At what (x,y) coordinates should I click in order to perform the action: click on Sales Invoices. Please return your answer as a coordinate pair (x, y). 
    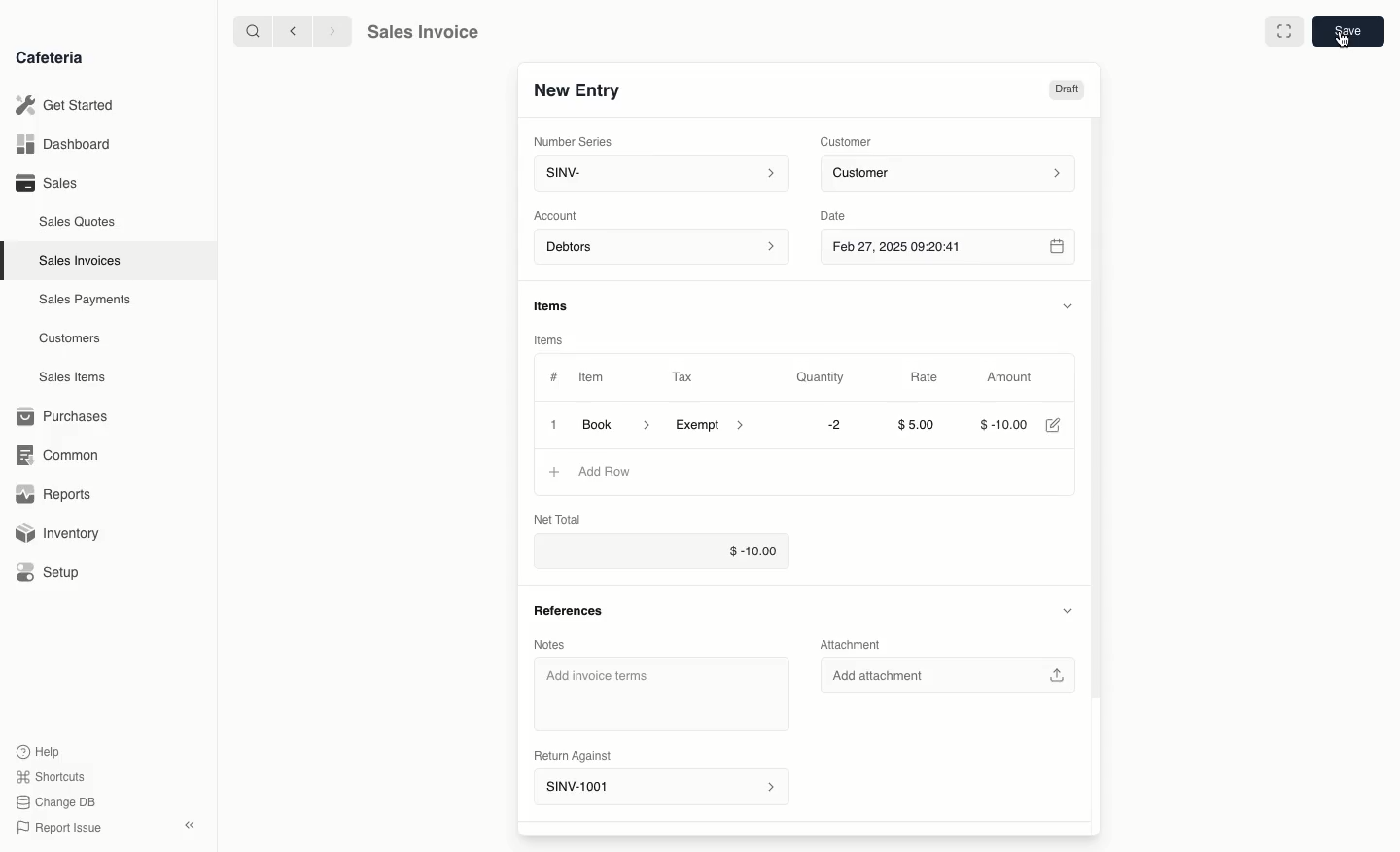
    Looking at the image, I should click on (80, 262).